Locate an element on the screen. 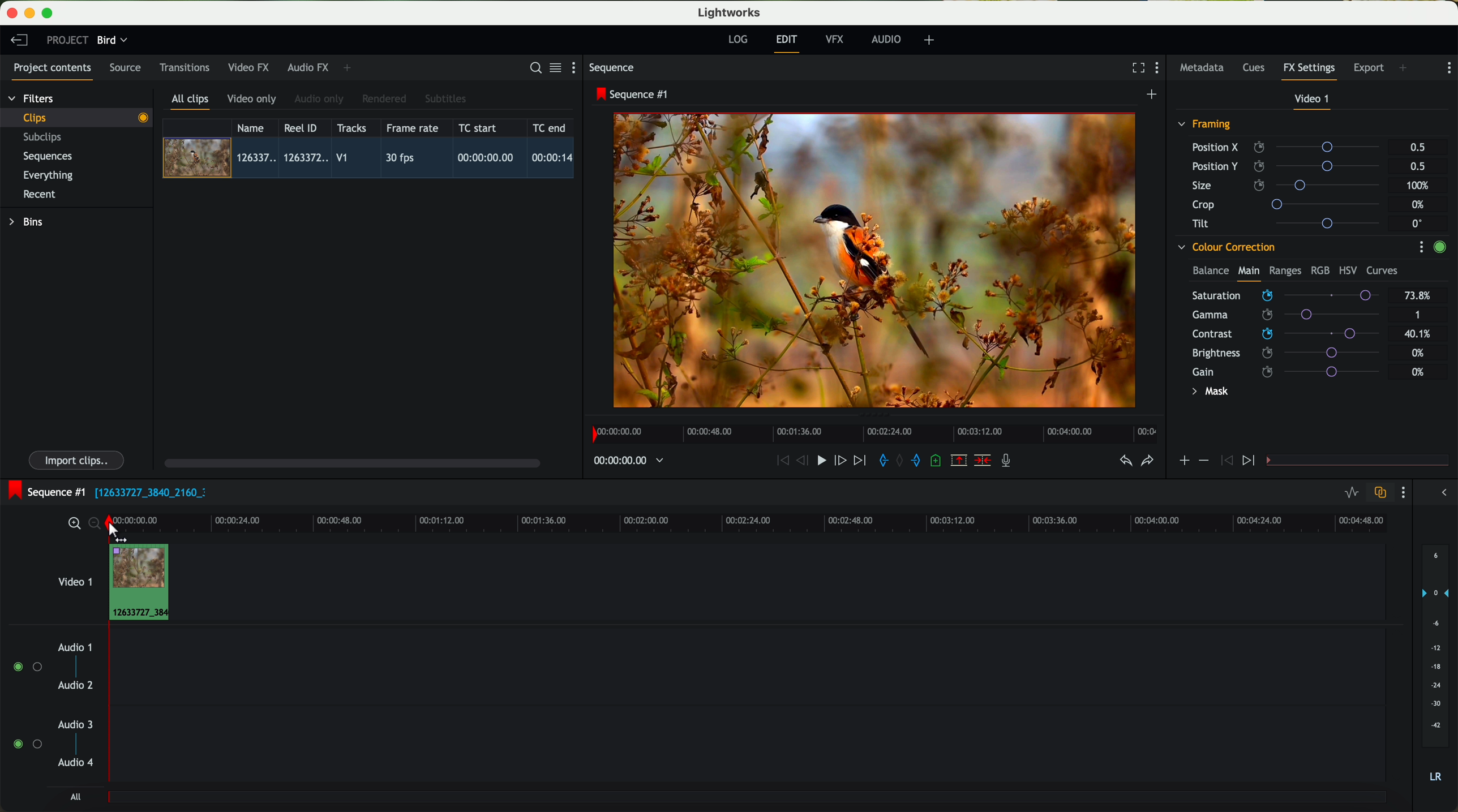  size is located at coordinates (1289, 186).